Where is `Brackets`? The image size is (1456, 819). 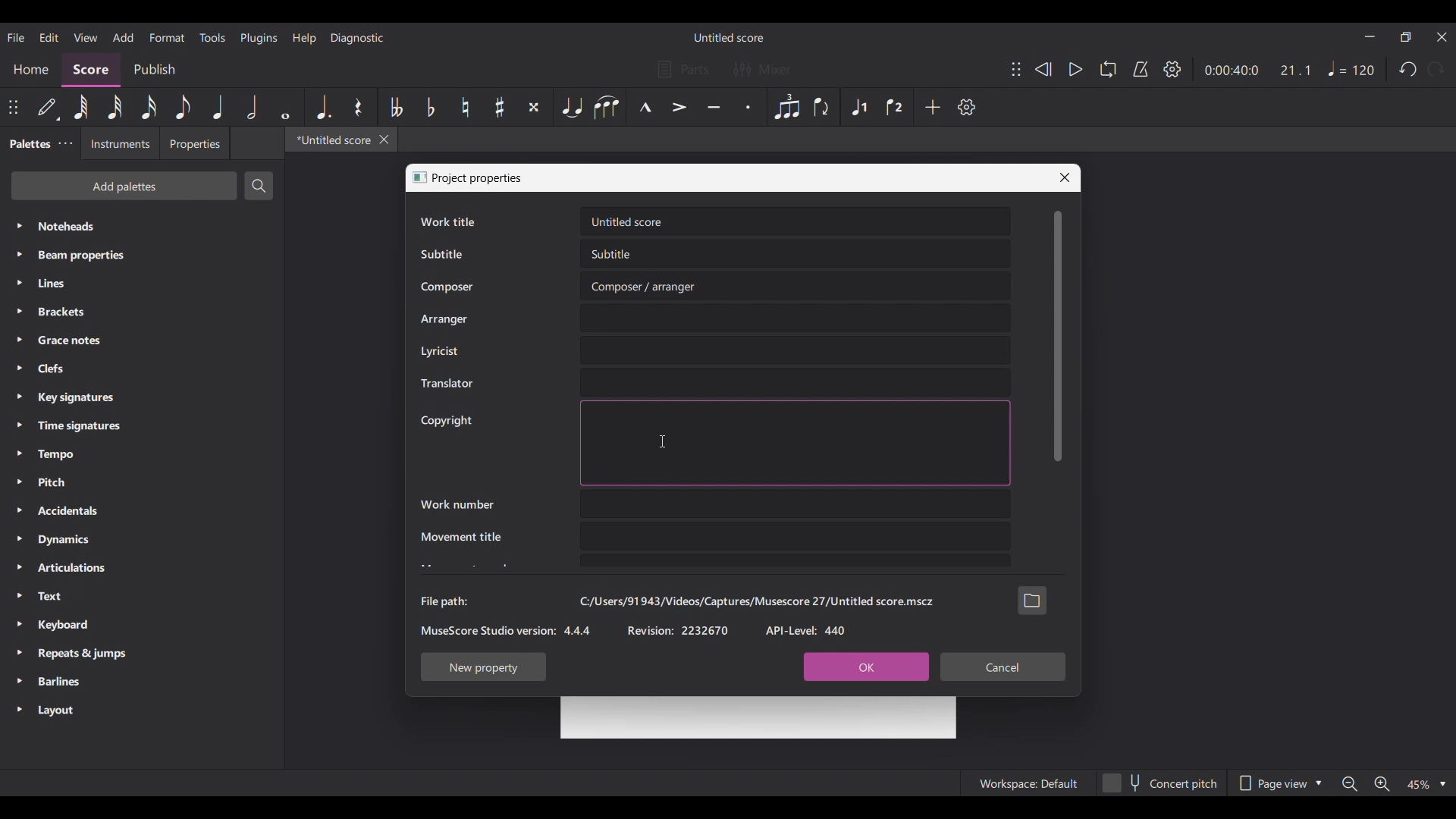 Brackets is located at coordinates (142, 312).